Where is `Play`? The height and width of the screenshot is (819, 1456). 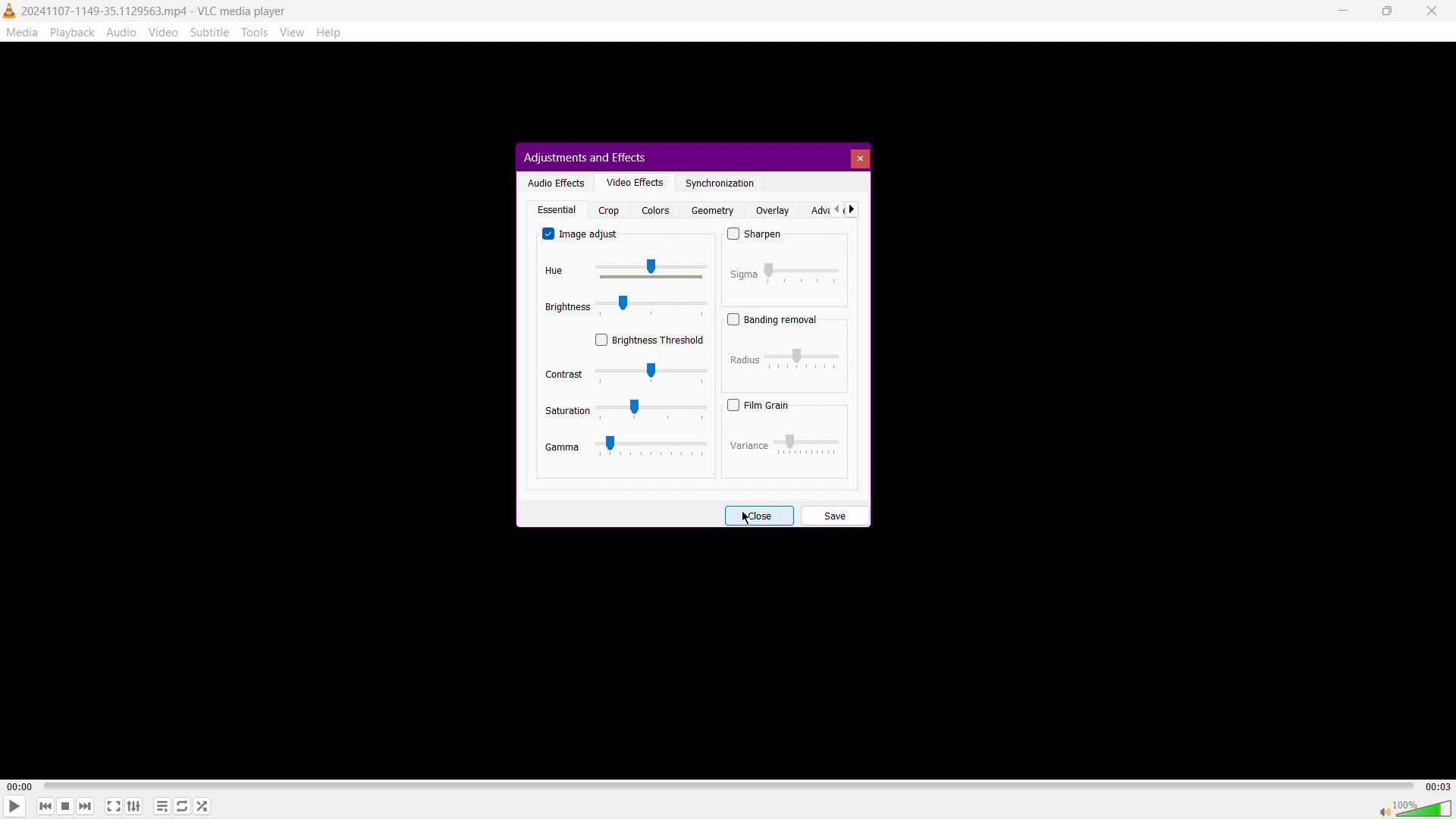
Play is located at coordinates (14, 806).